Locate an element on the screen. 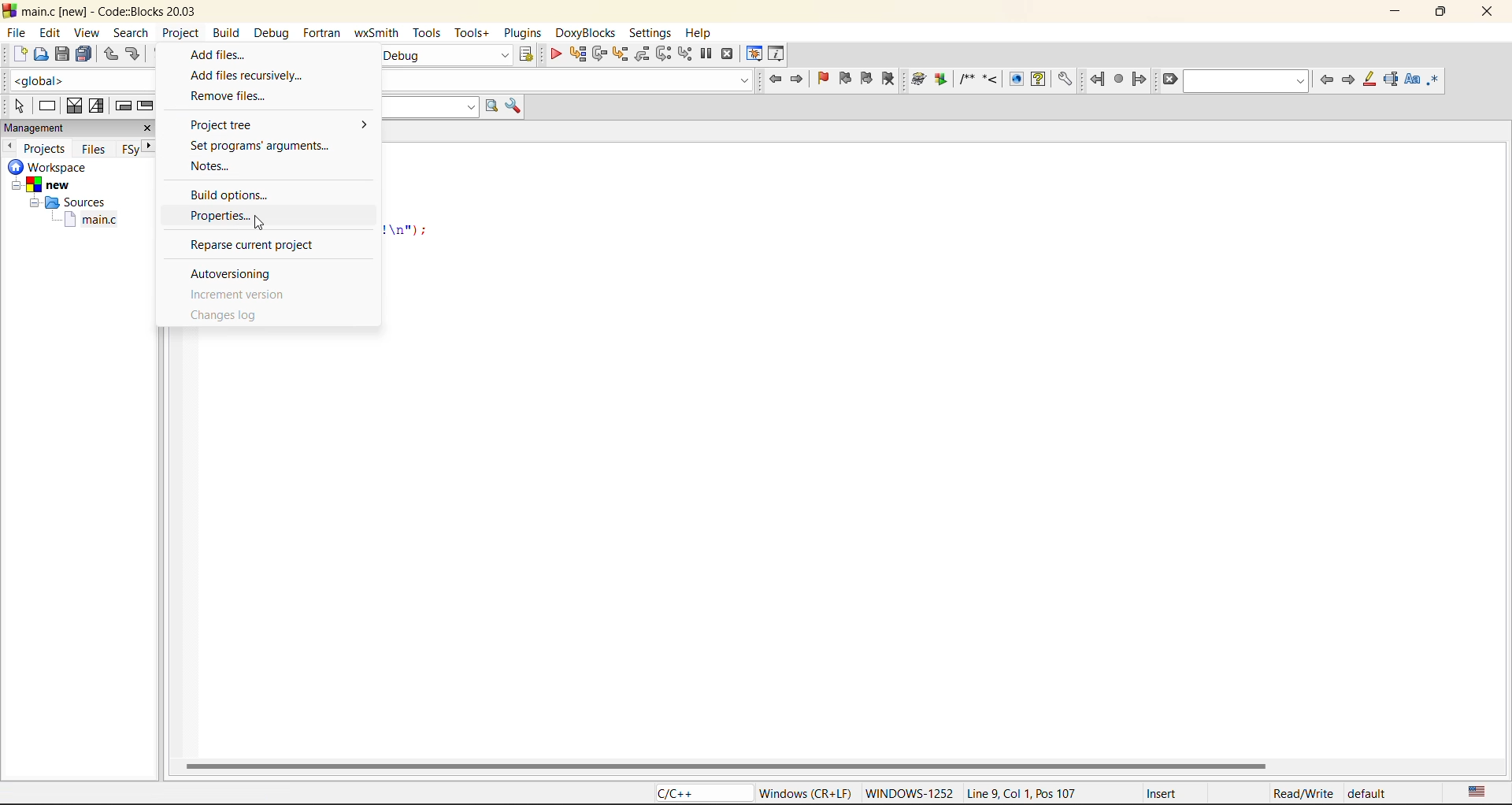 The width and height of the screenshot is (1512, 805). last jump is located at coordinates (1118, 80).